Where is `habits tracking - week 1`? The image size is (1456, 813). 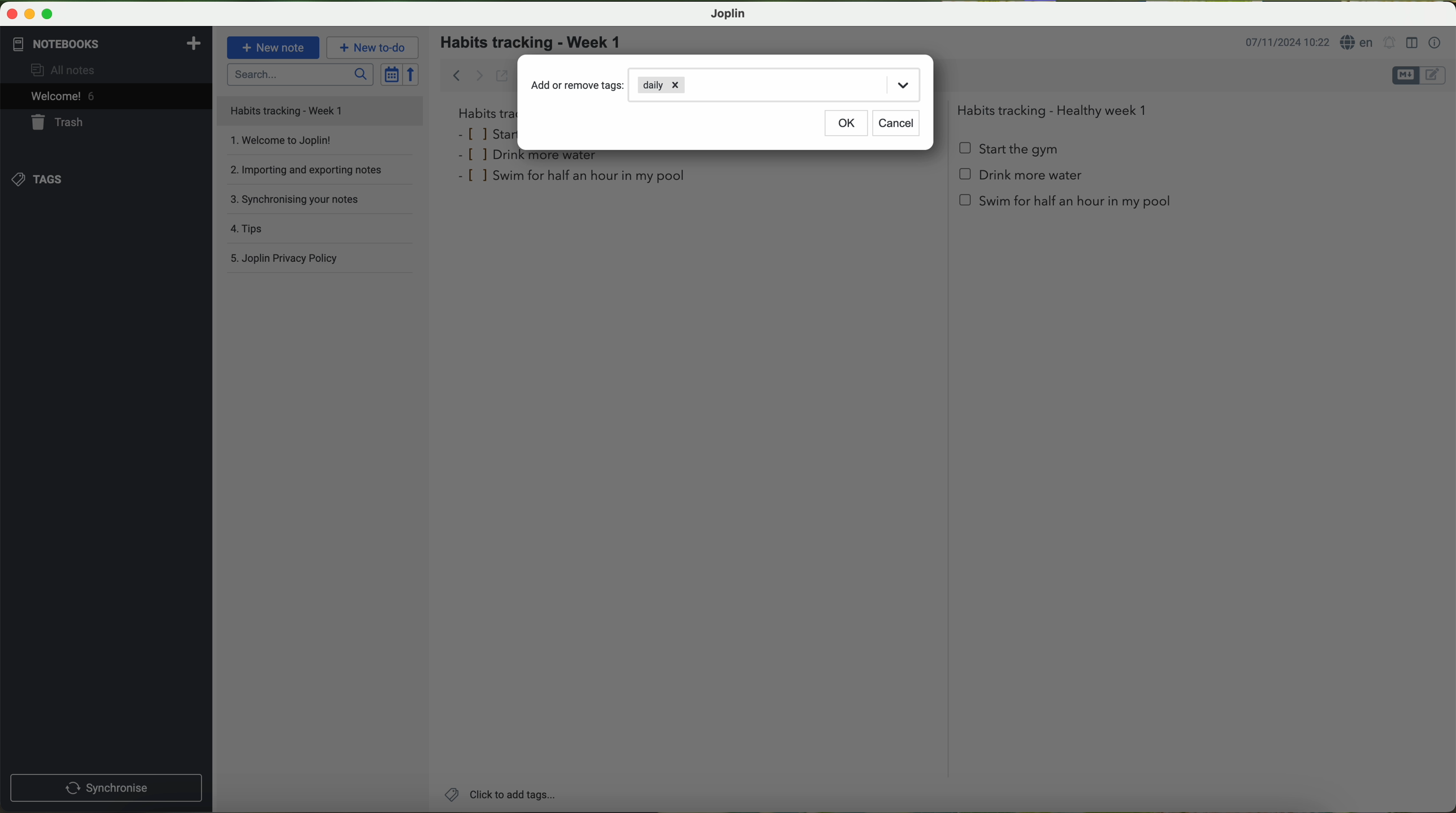
habits tracking - week 1 is located at coordinates (538, 43).